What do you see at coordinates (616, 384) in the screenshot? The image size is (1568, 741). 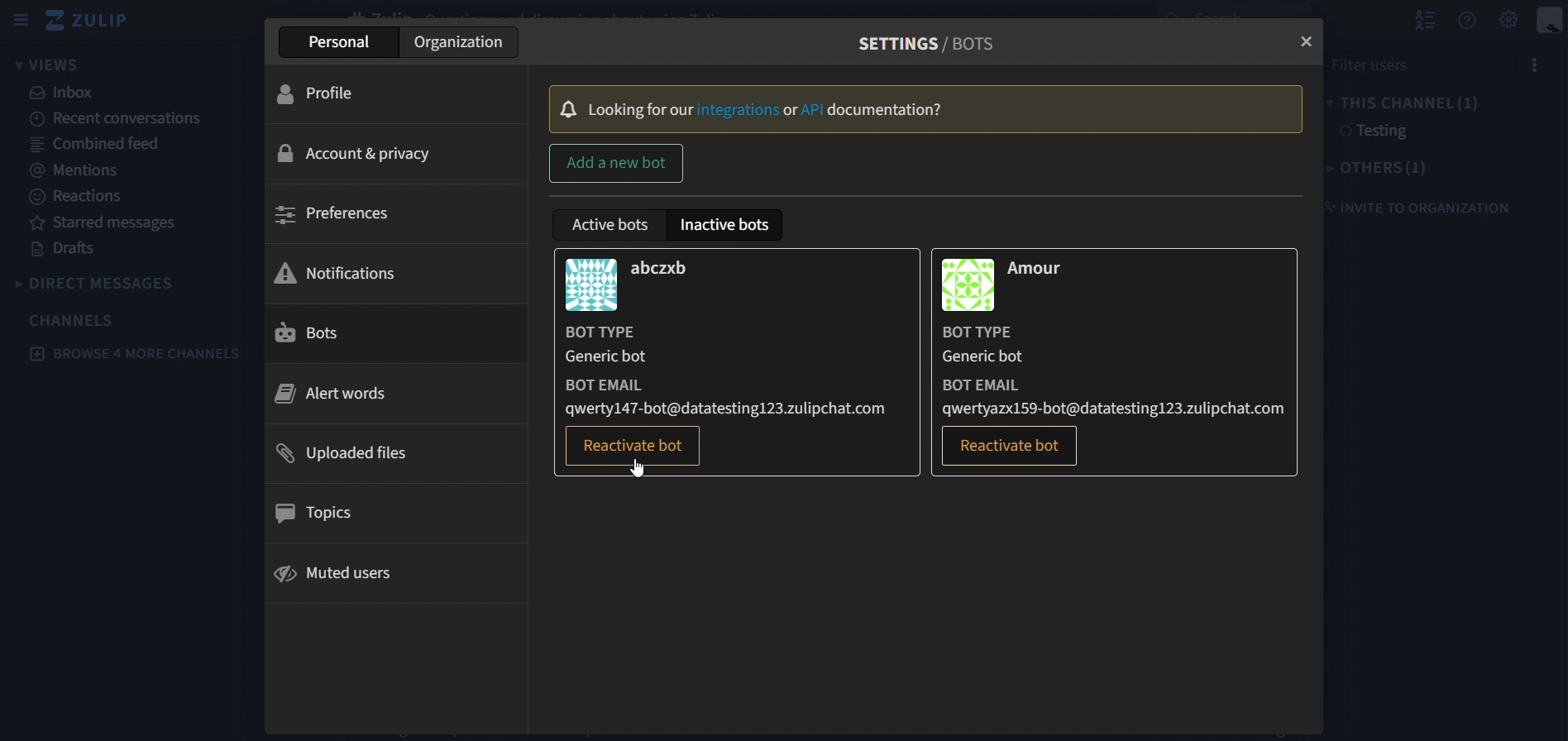 I see `BOT EMAIL` at bounding box center [616, 384].